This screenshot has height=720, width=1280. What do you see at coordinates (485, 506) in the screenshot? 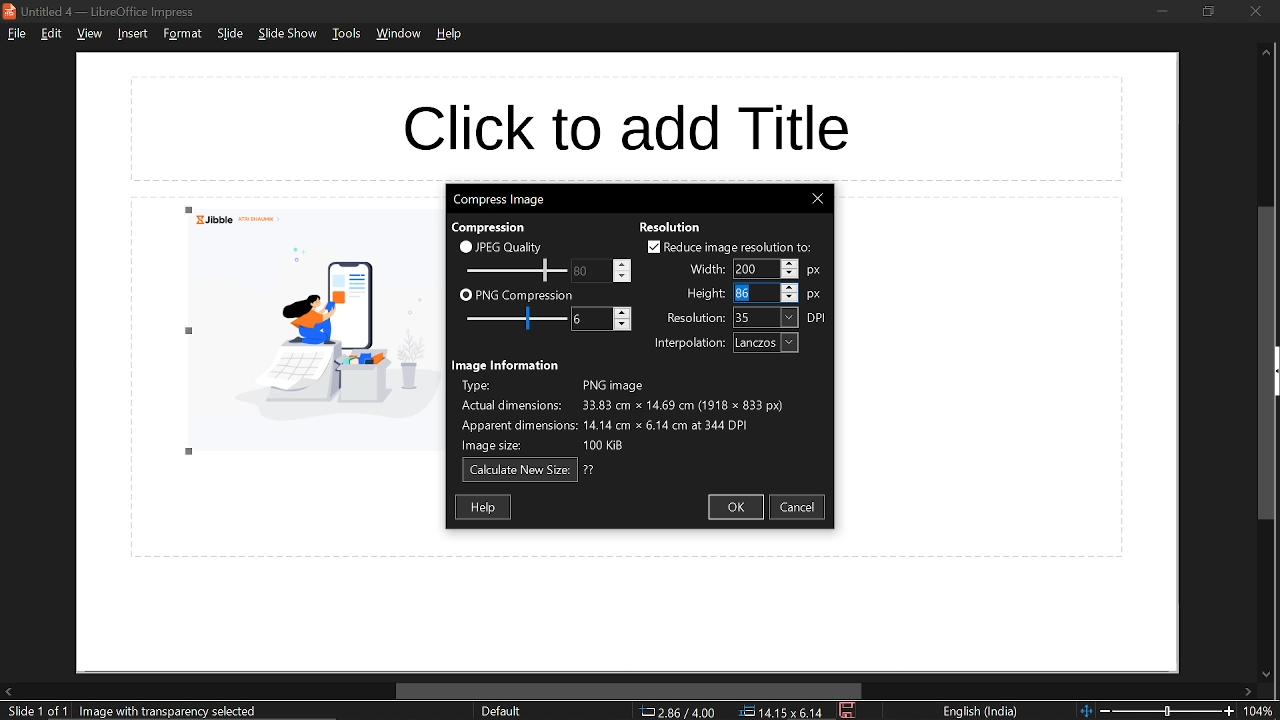
I see `help` at bounding box center [485, 506].